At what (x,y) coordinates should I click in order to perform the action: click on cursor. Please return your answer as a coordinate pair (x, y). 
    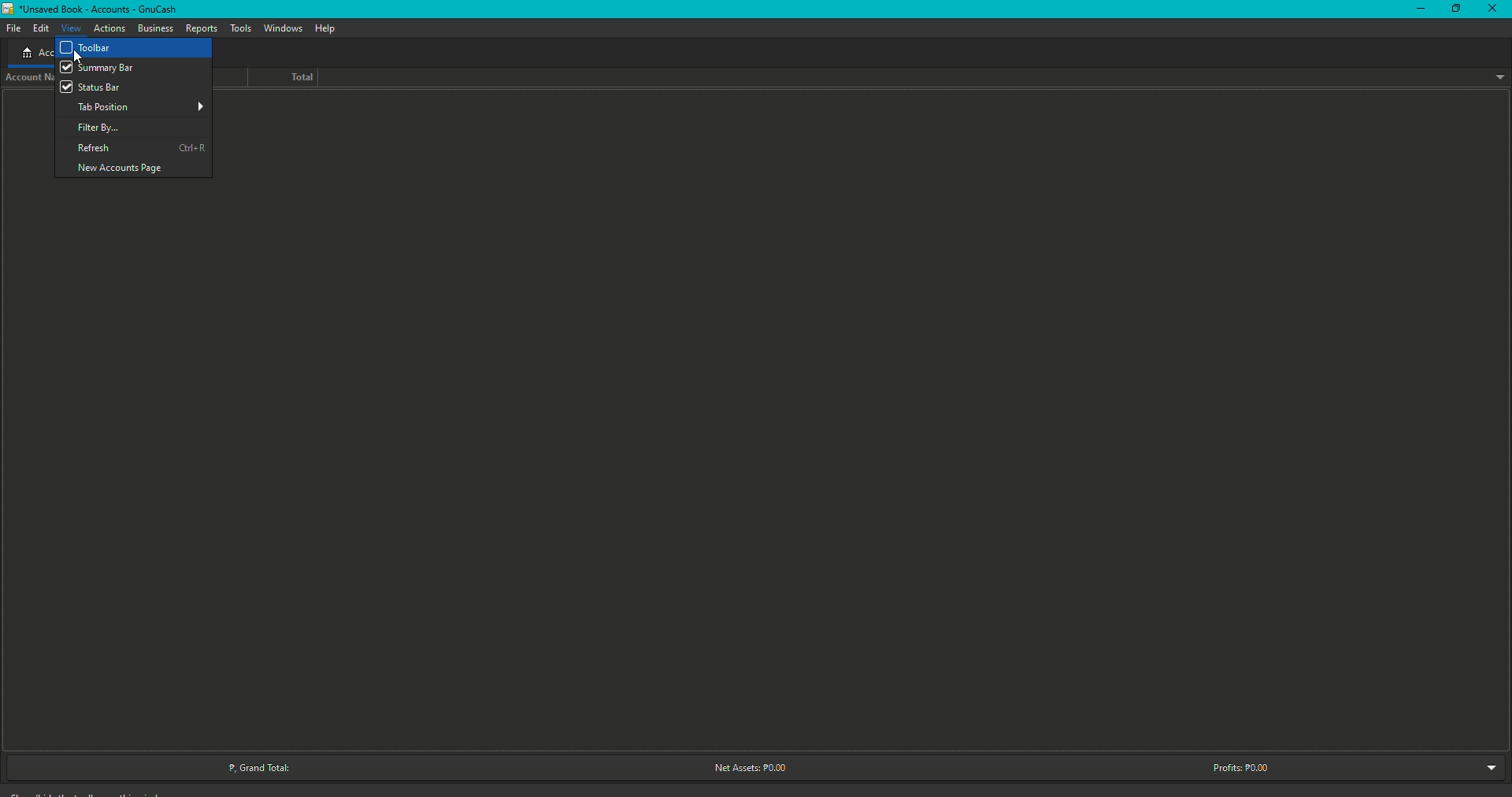
    Looking at the image, I should click on (79, 56).